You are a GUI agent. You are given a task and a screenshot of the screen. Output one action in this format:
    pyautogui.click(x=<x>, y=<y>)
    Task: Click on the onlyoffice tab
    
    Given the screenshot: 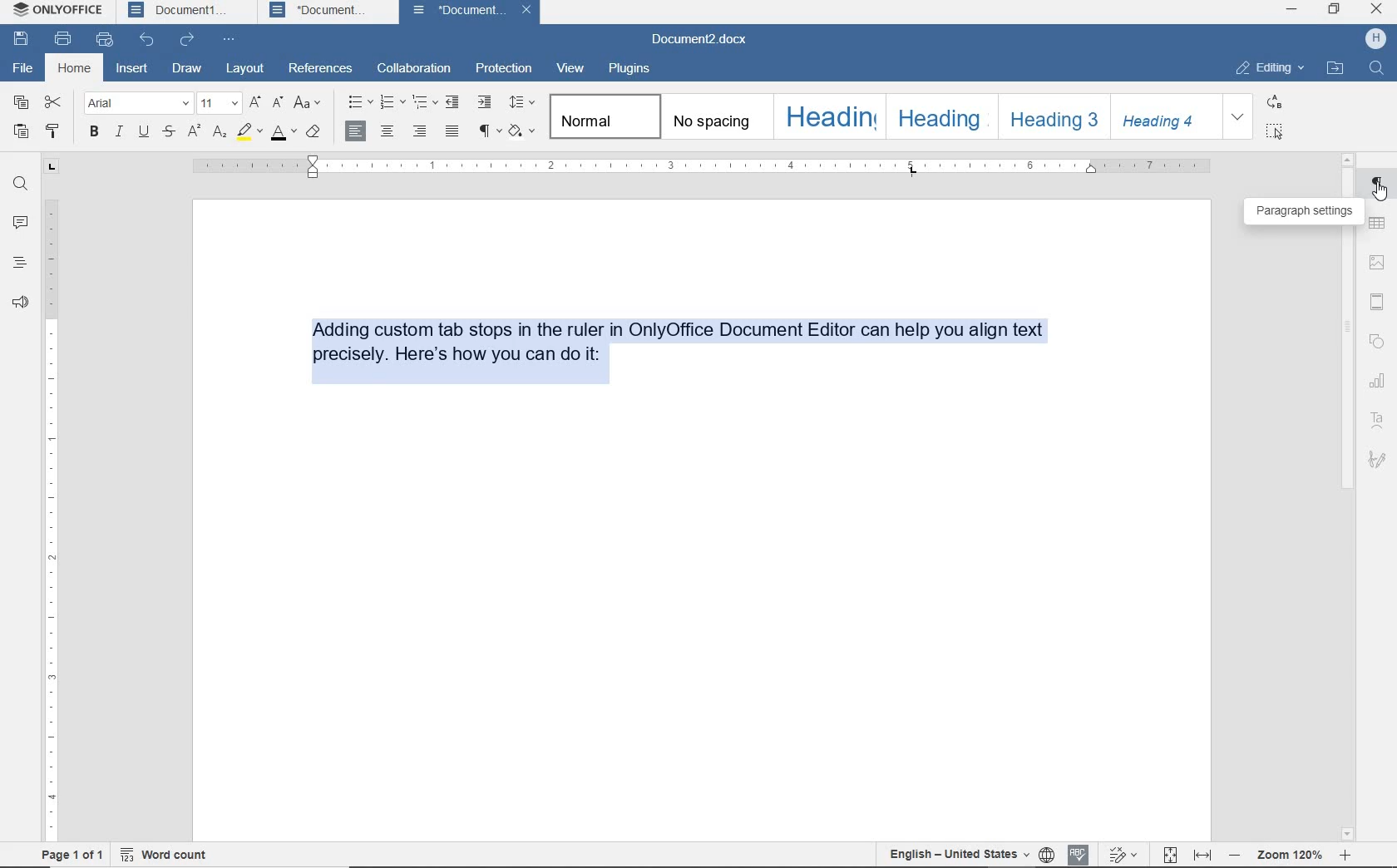 What is the action you would take?
    pyautogui.click(x=55, y=12)
    